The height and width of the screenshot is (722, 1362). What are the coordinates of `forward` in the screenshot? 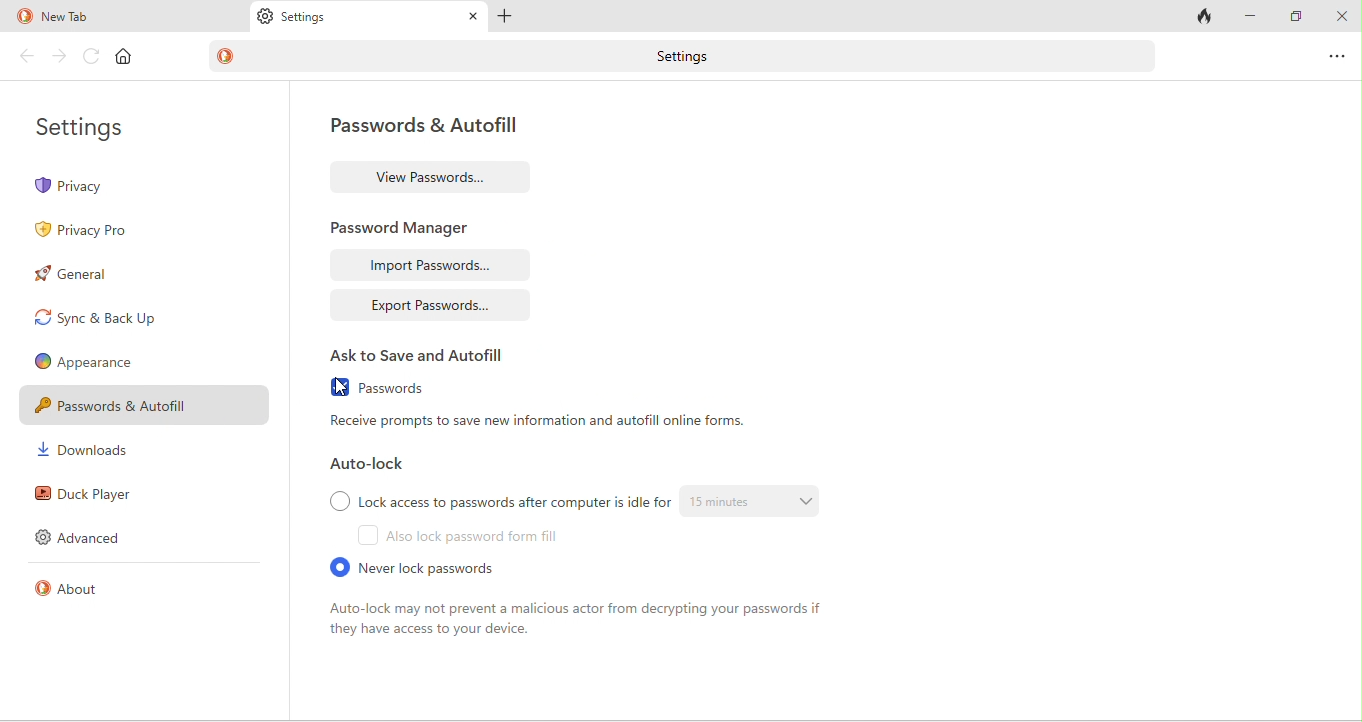 It's located at (59, 56).